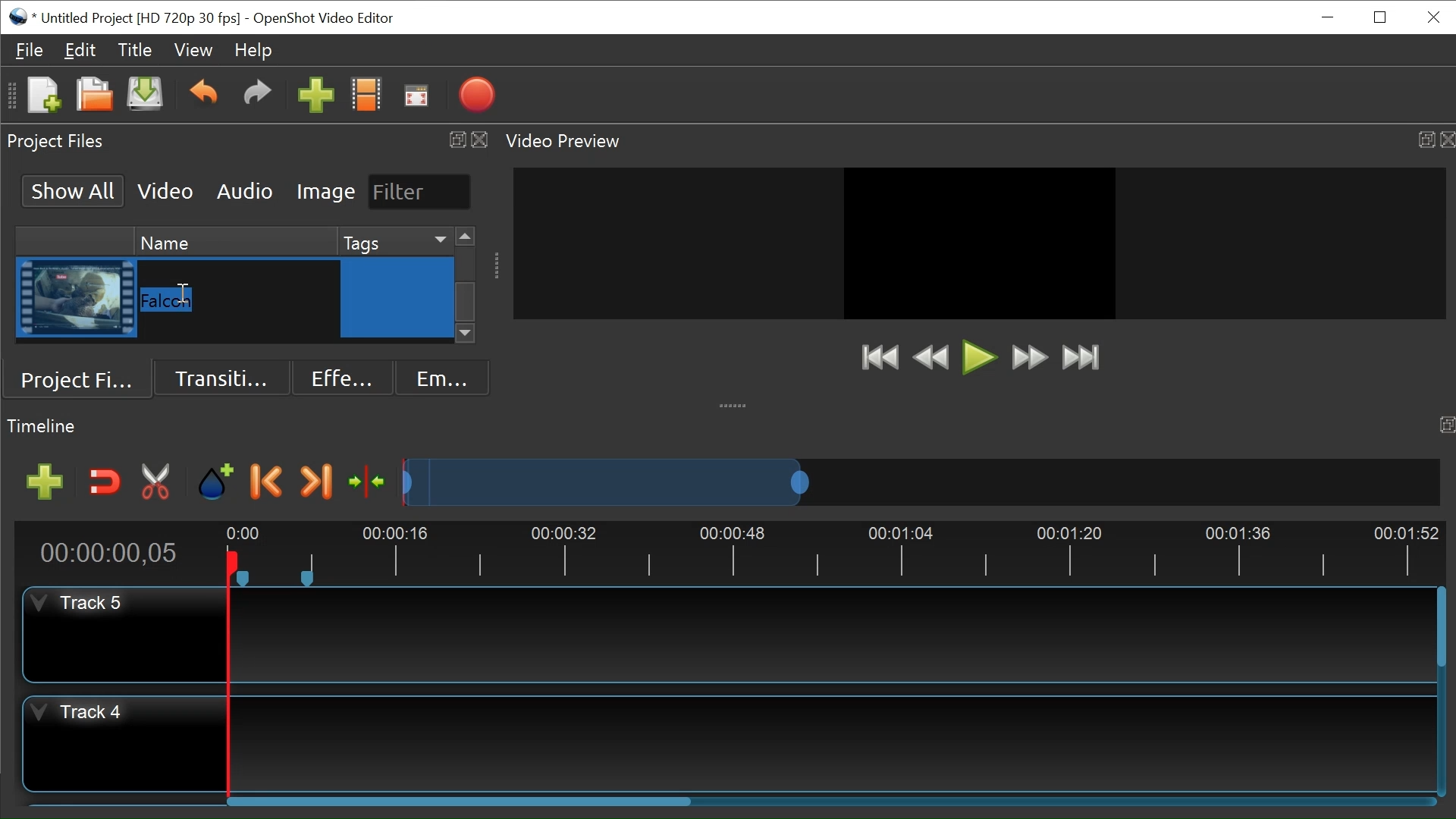  What do you see at coordinates (166, 190) in the screenshot?
I see `Video` at bounding box center [166, 190].